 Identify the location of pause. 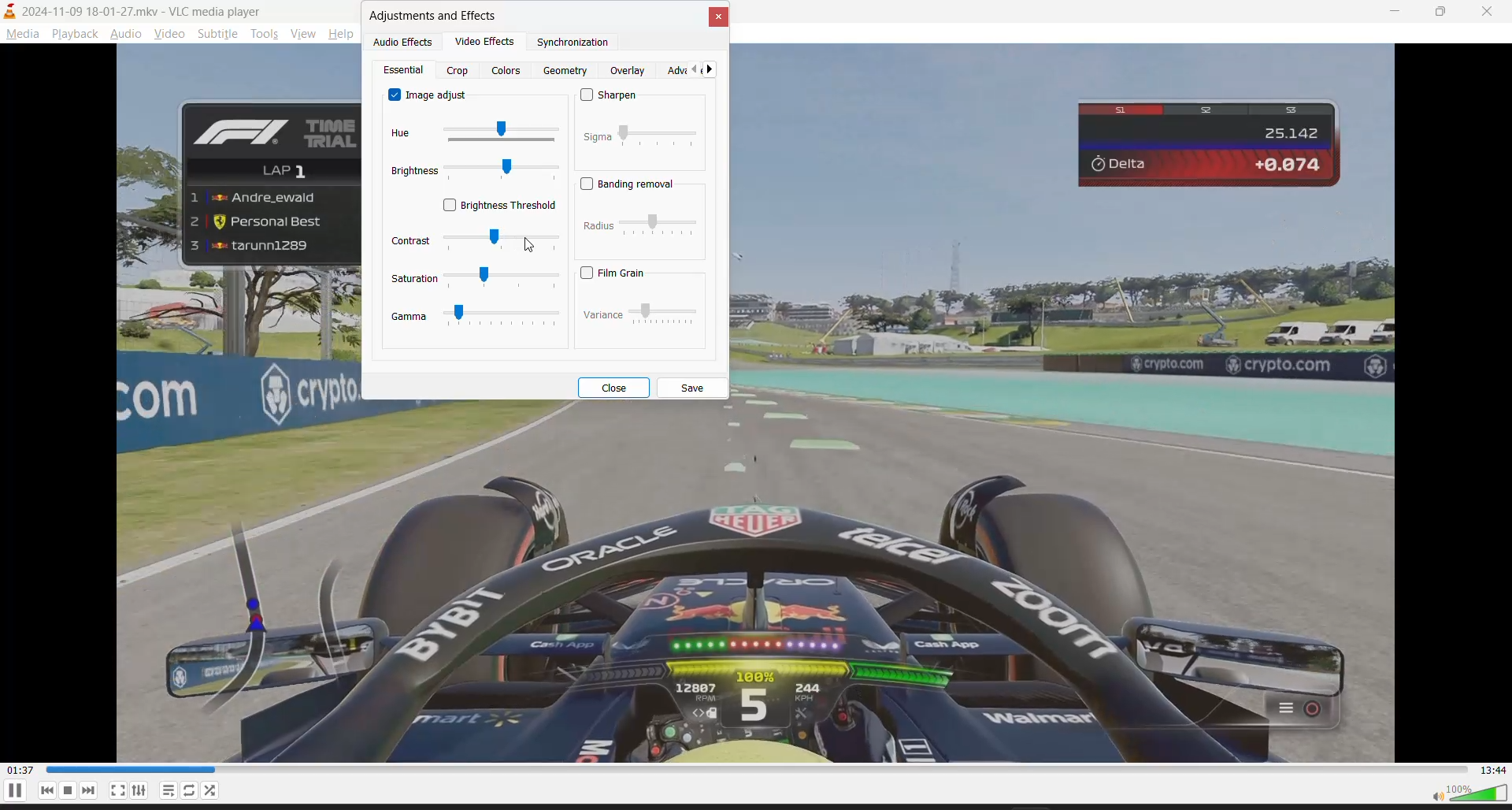
(14, 795).